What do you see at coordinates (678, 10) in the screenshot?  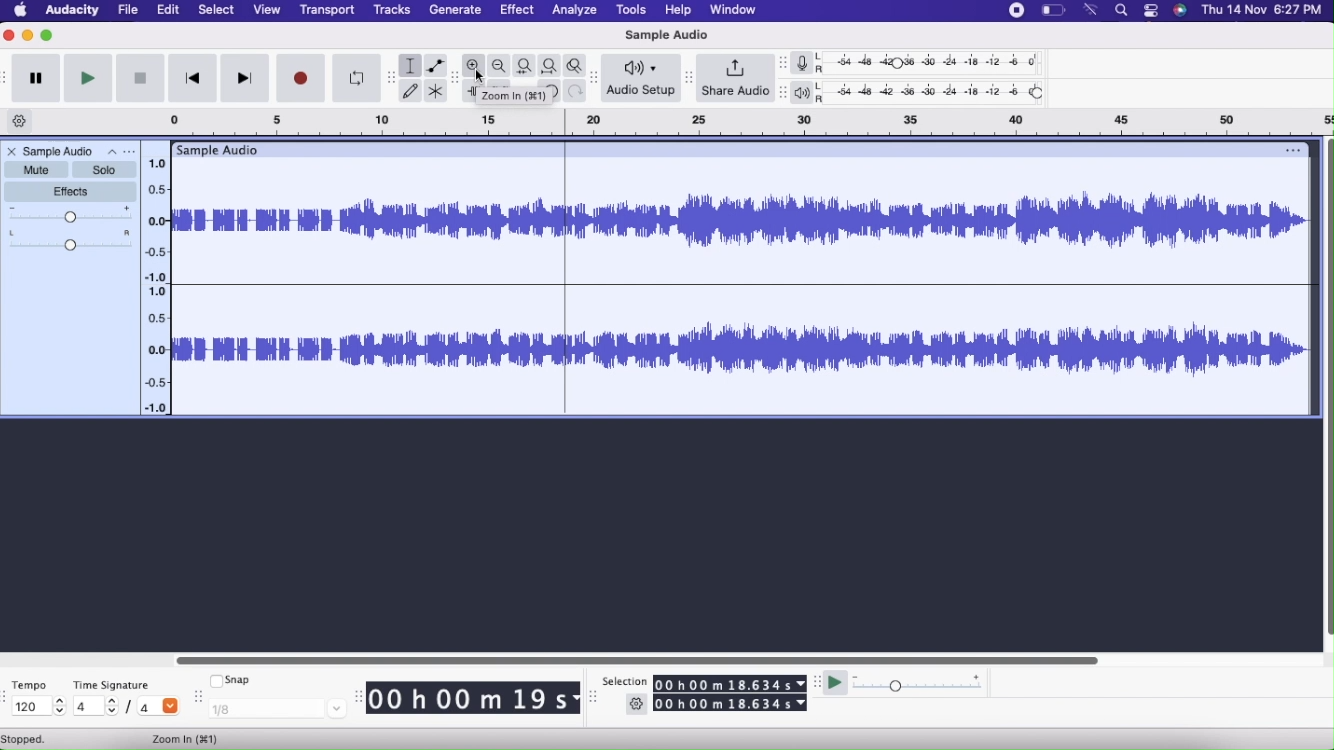 I see `Help` at bounding box center [678, 10].